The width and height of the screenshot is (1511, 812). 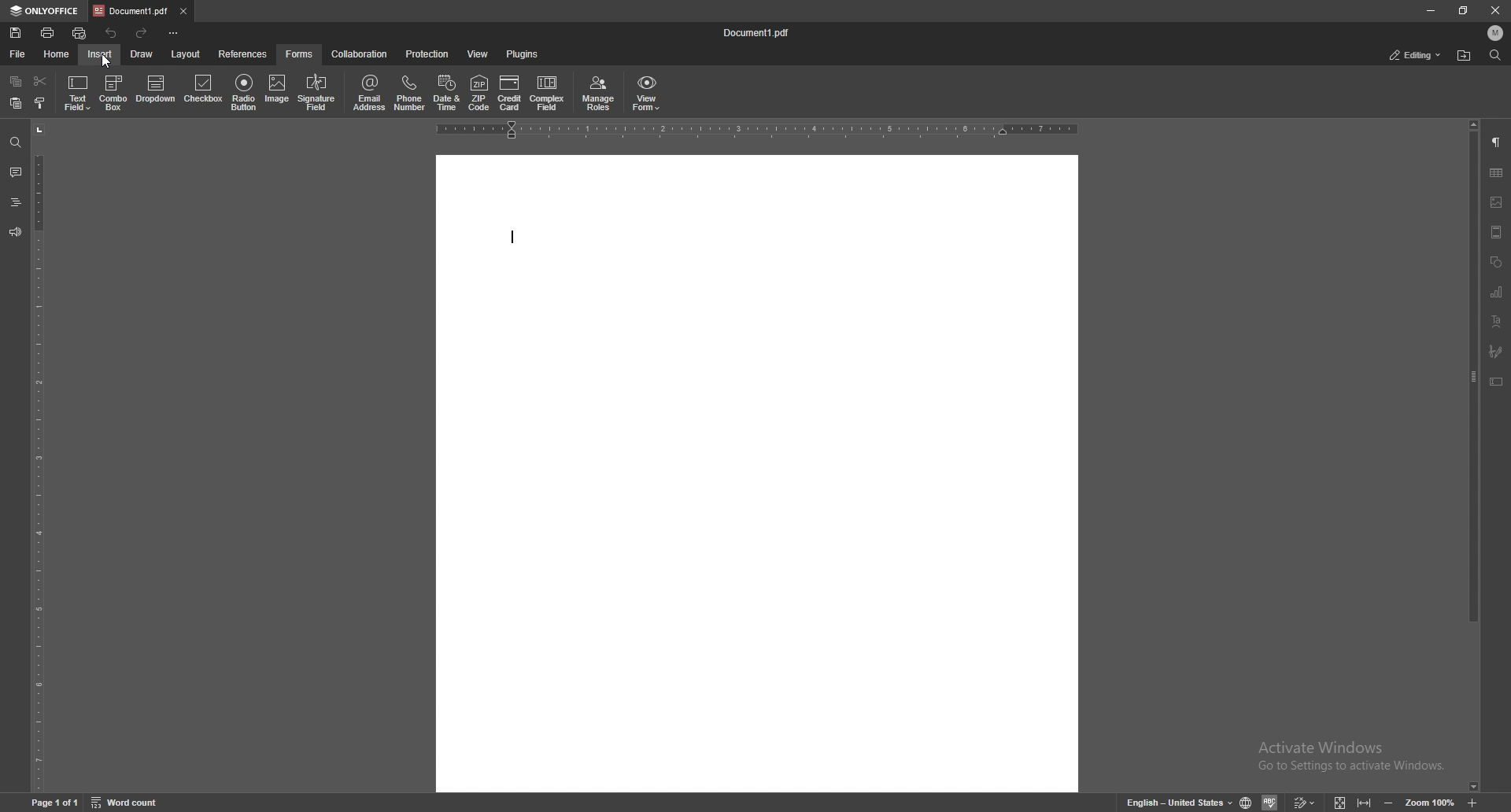 What do you see at coordinates (754, 131) in the screenshot?
I see `horizontal scale` at bounding box center [754, 131].